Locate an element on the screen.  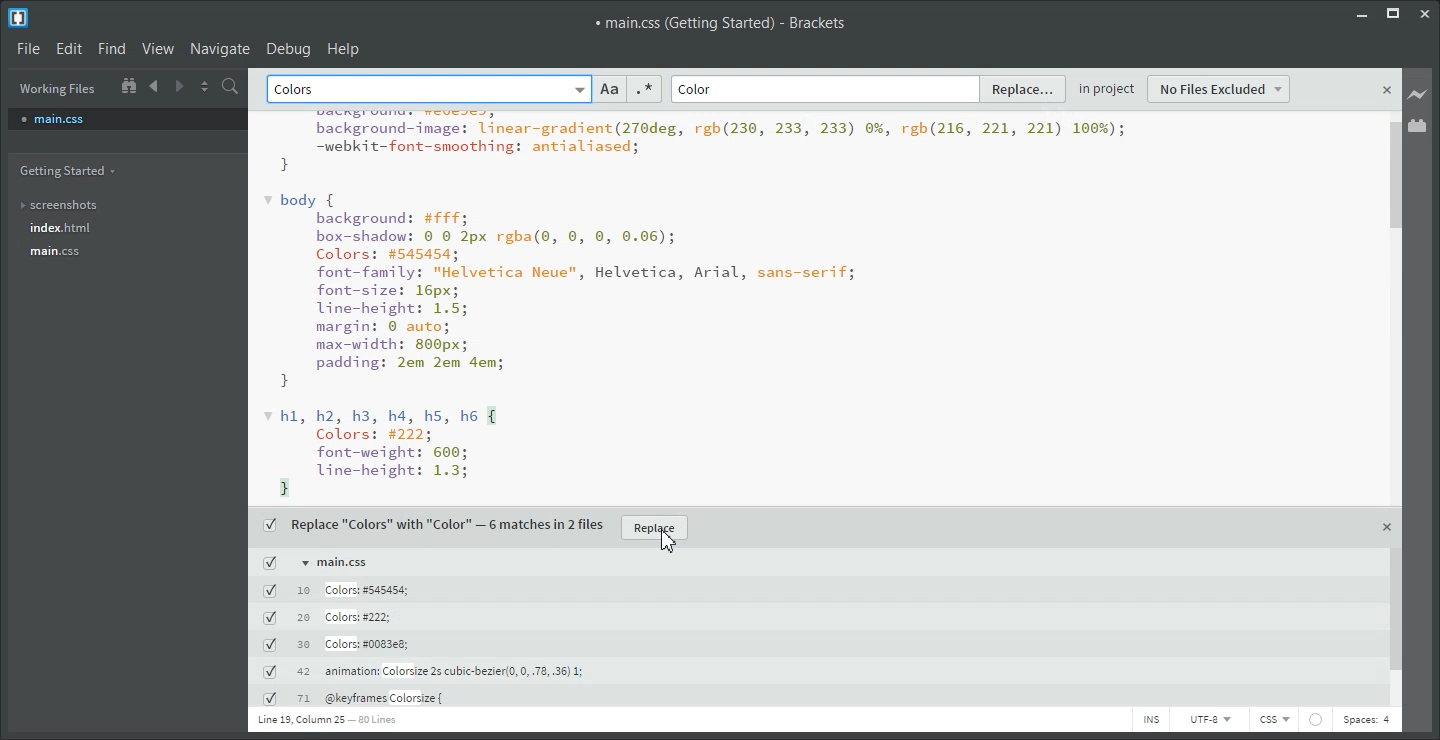
Navigate Backward is located at coordinates (156, 85).